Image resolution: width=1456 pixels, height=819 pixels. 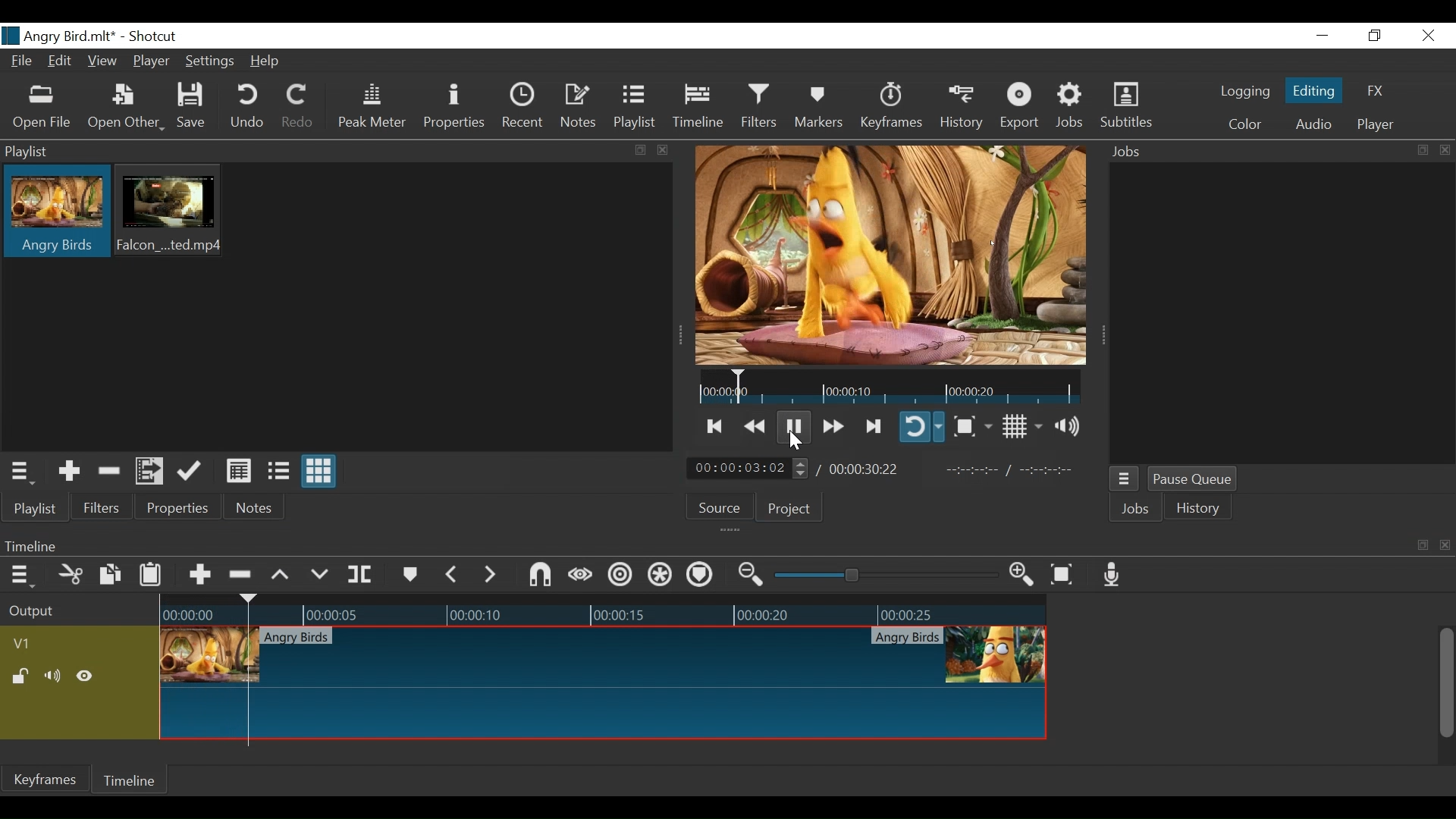 I want to click on Jobs, so click(x=1135, y=508).